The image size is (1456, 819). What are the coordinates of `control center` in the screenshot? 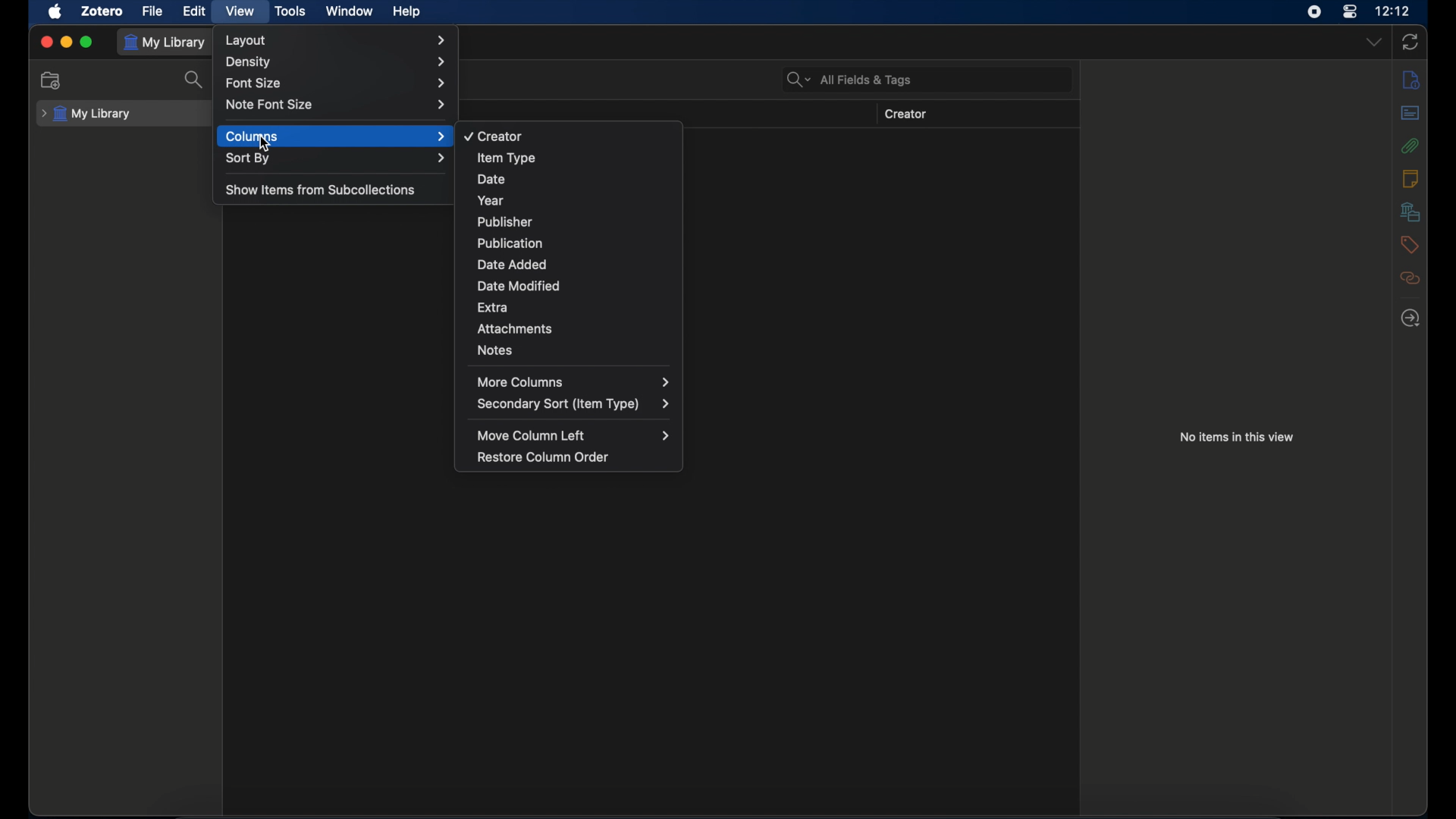 It's located at (1351, 12).